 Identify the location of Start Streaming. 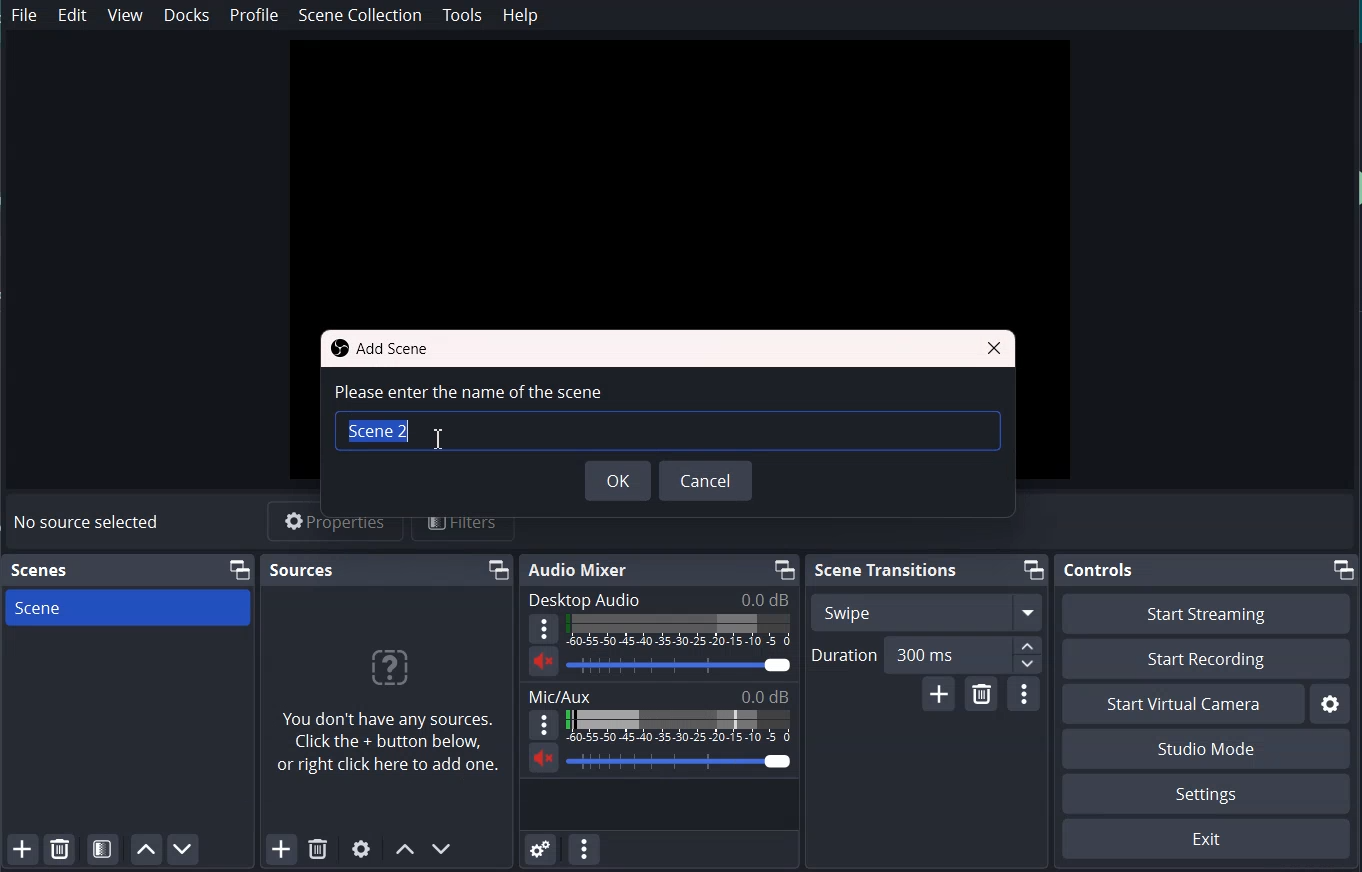
(1206, 613).